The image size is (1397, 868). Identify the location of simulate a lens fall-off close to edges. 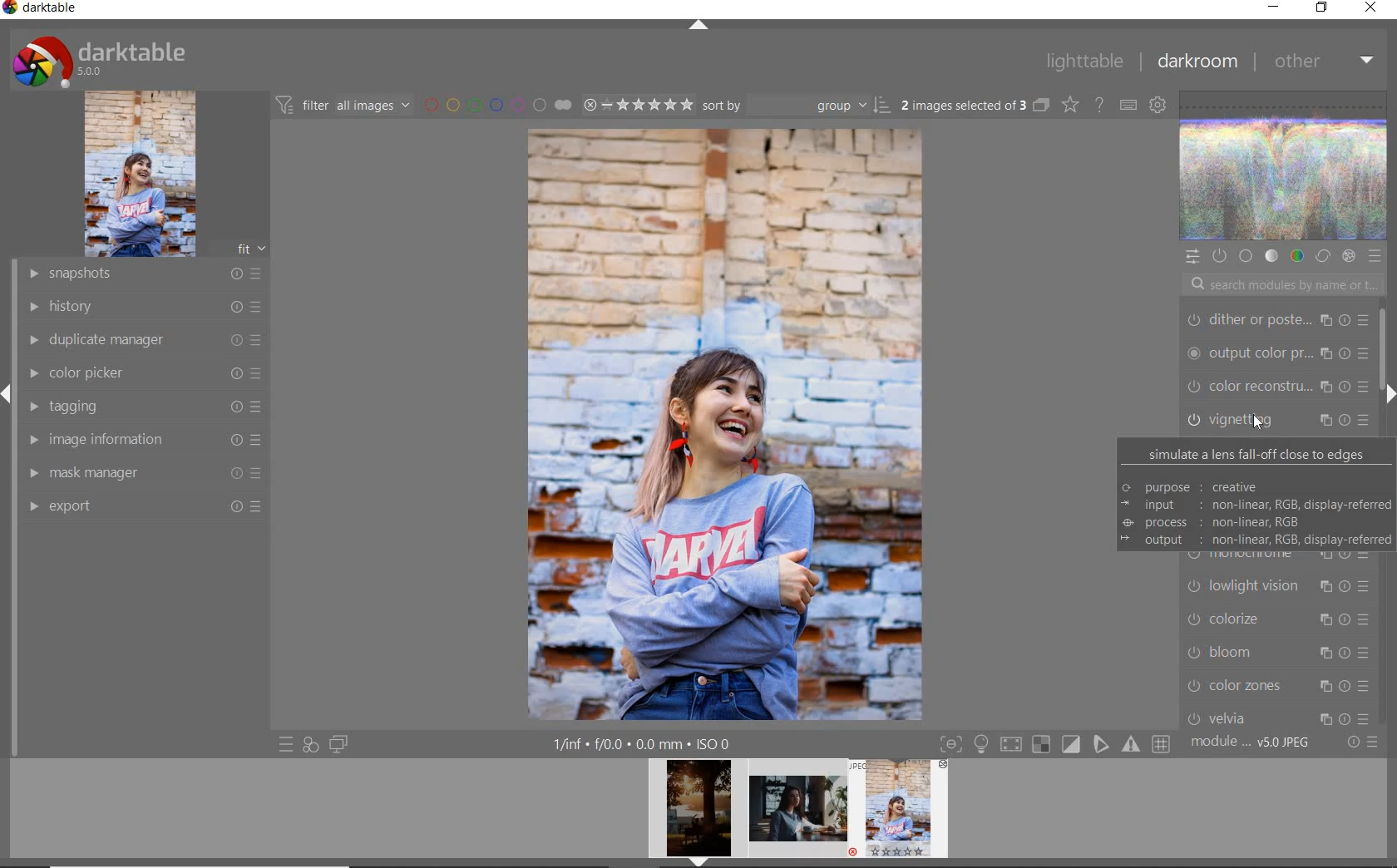
(1253, 493).